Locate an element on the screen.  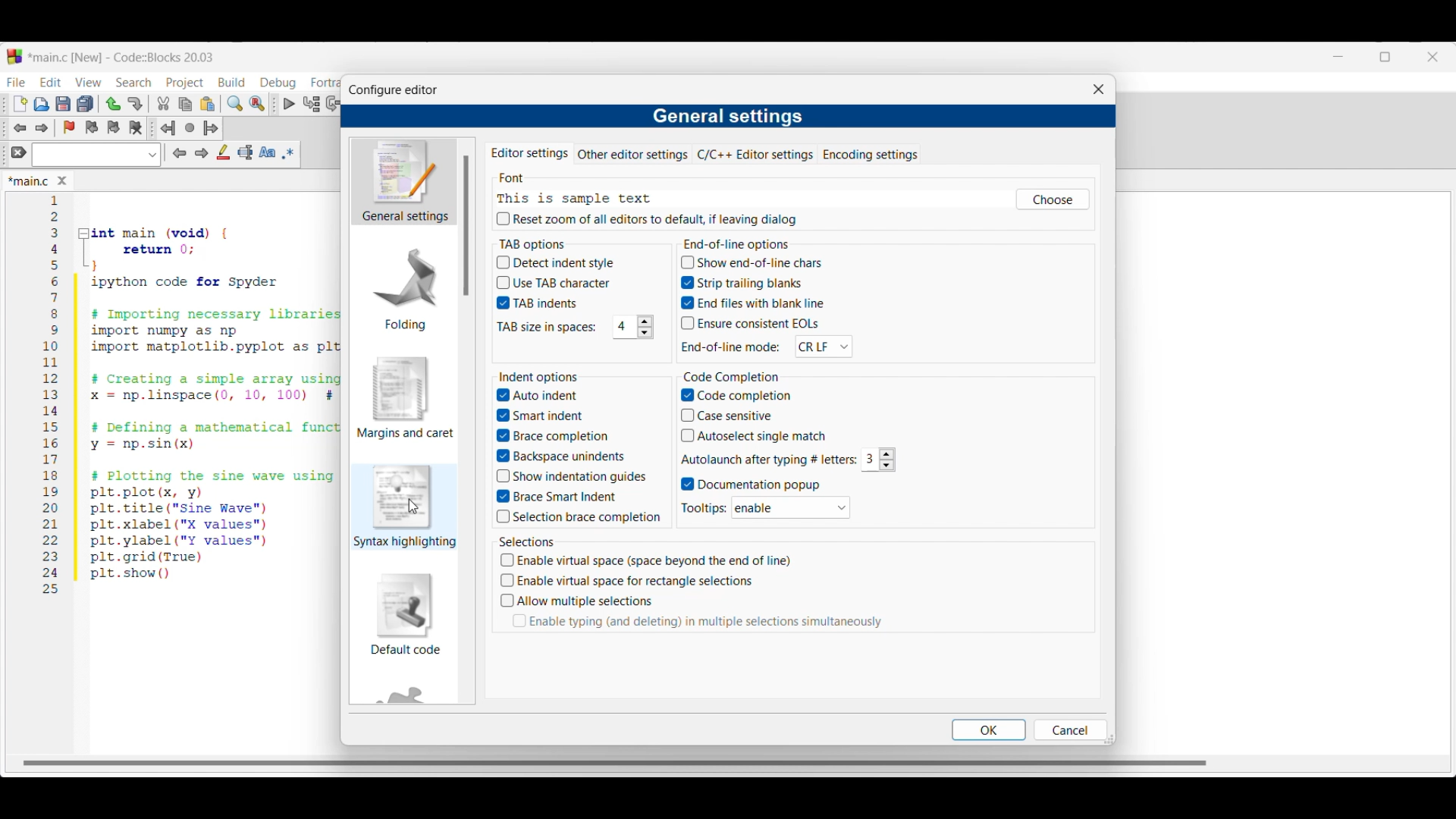
Current tab is located at coordinates (528, 155).